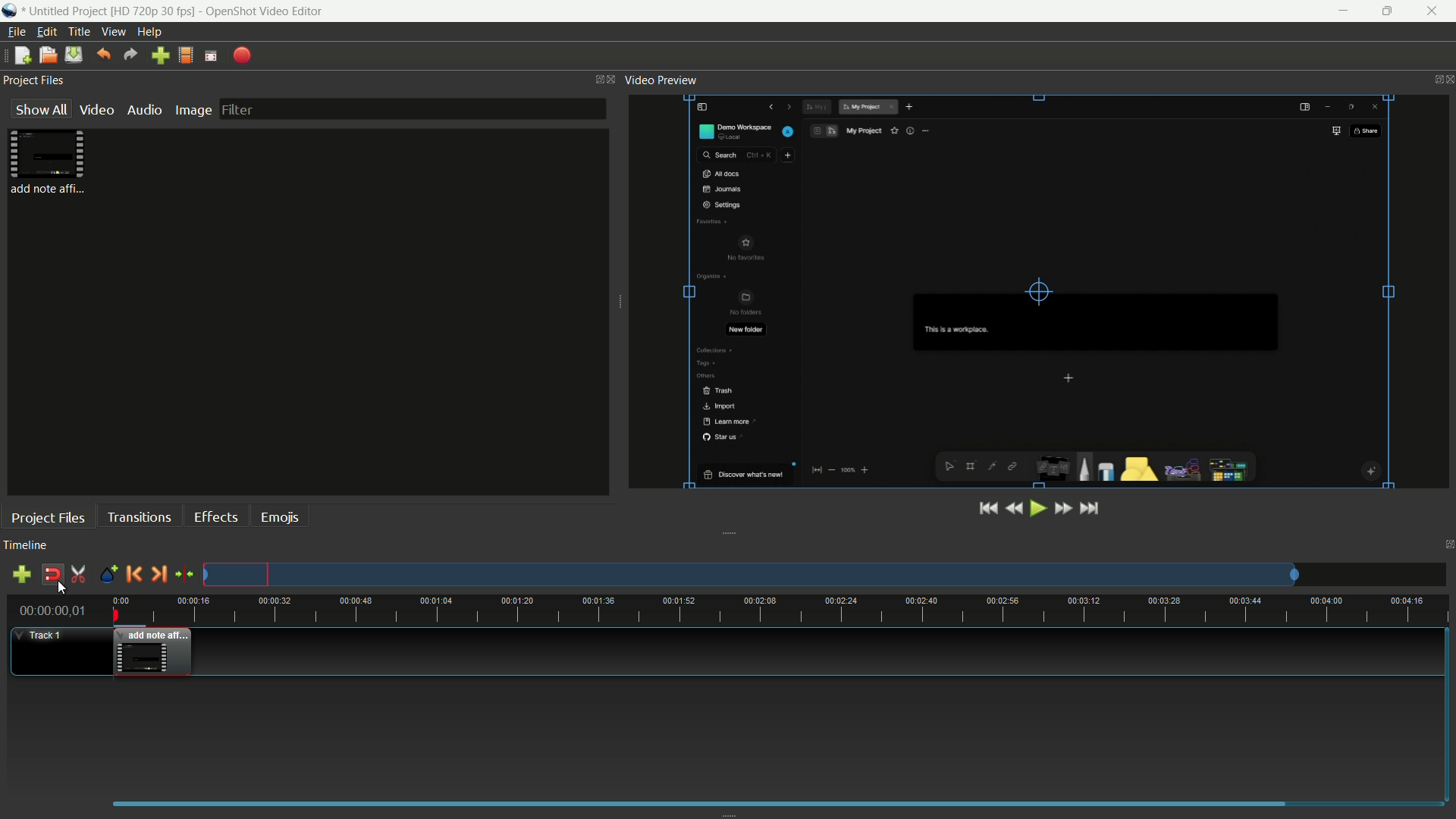 The width and height of the screenshot is (1456, 819). Describe the element at coordinates (43, 32) in the screenshot. I see `edit menu` at that location.